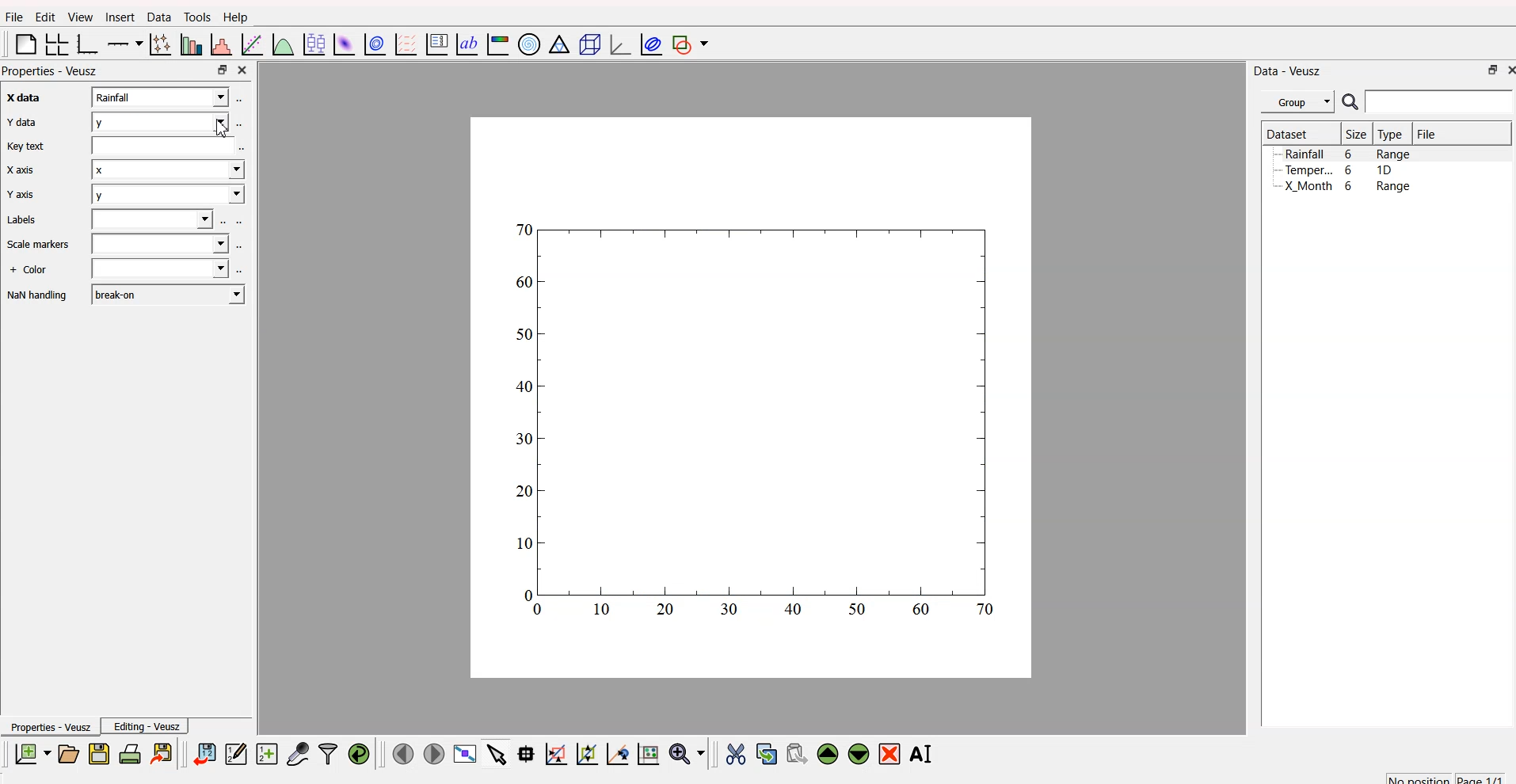 The height and width of the screenshot is (784, 1516). Describe the element at coordinates (166, 194) in the screenshot. I see `y` at that location.